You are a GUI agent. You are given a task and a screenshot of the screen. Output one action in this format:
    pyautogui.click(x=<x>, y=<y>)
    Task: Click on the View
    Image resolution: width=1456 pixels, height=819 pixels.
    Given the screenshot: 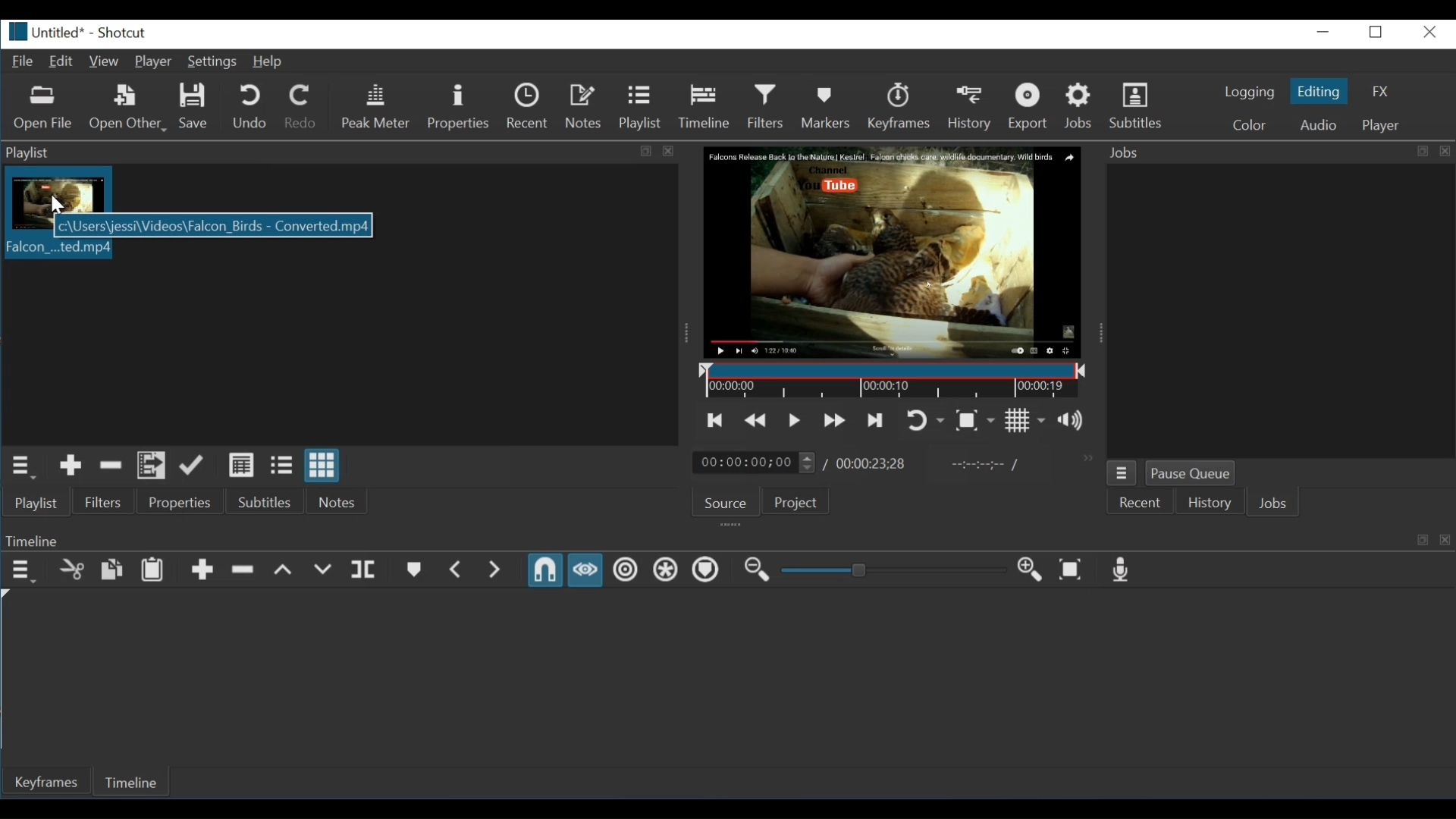 What is the action you would take?
    pyautogui.click(x=103, y=62)
    